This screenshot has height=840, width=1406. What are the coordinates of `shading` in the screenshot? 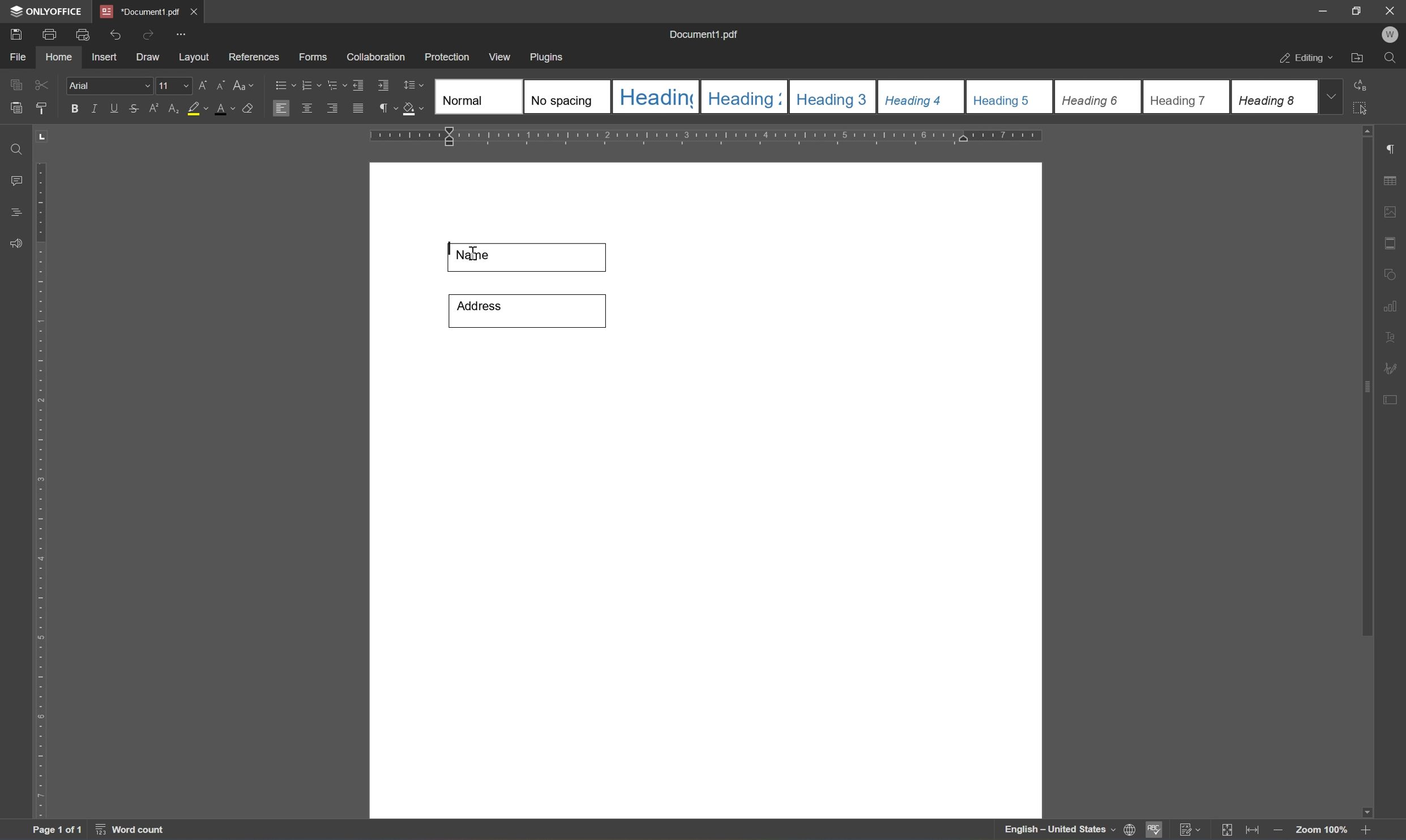 It's located at (414, 110).